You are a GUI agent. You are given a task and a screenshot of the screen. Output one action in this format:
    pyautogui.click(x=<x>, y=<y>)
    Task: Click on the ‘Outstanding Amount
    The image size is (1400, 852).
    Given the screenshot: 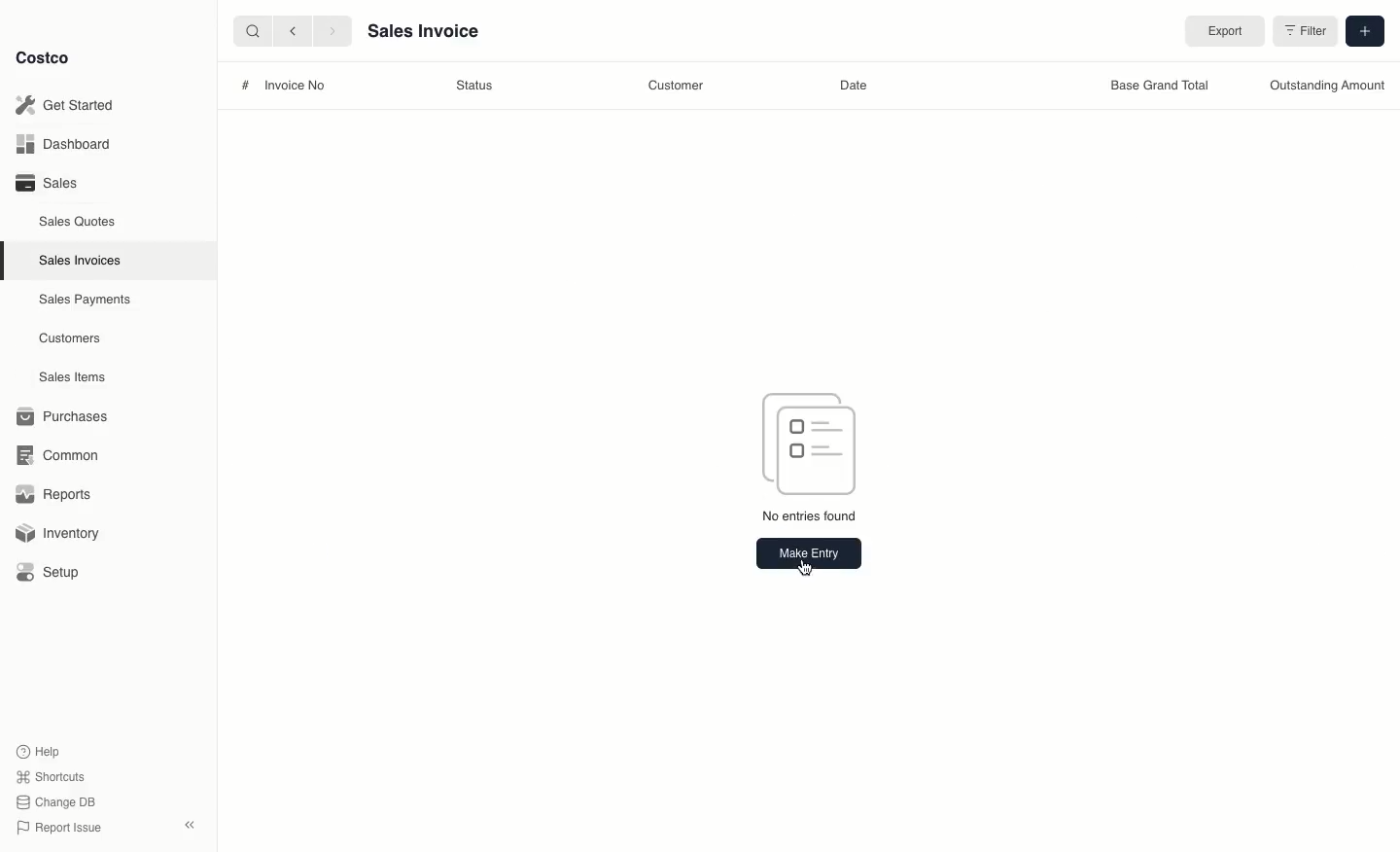 What is the action you would take?
    pyautogui.click(x=1326, y=88)
    